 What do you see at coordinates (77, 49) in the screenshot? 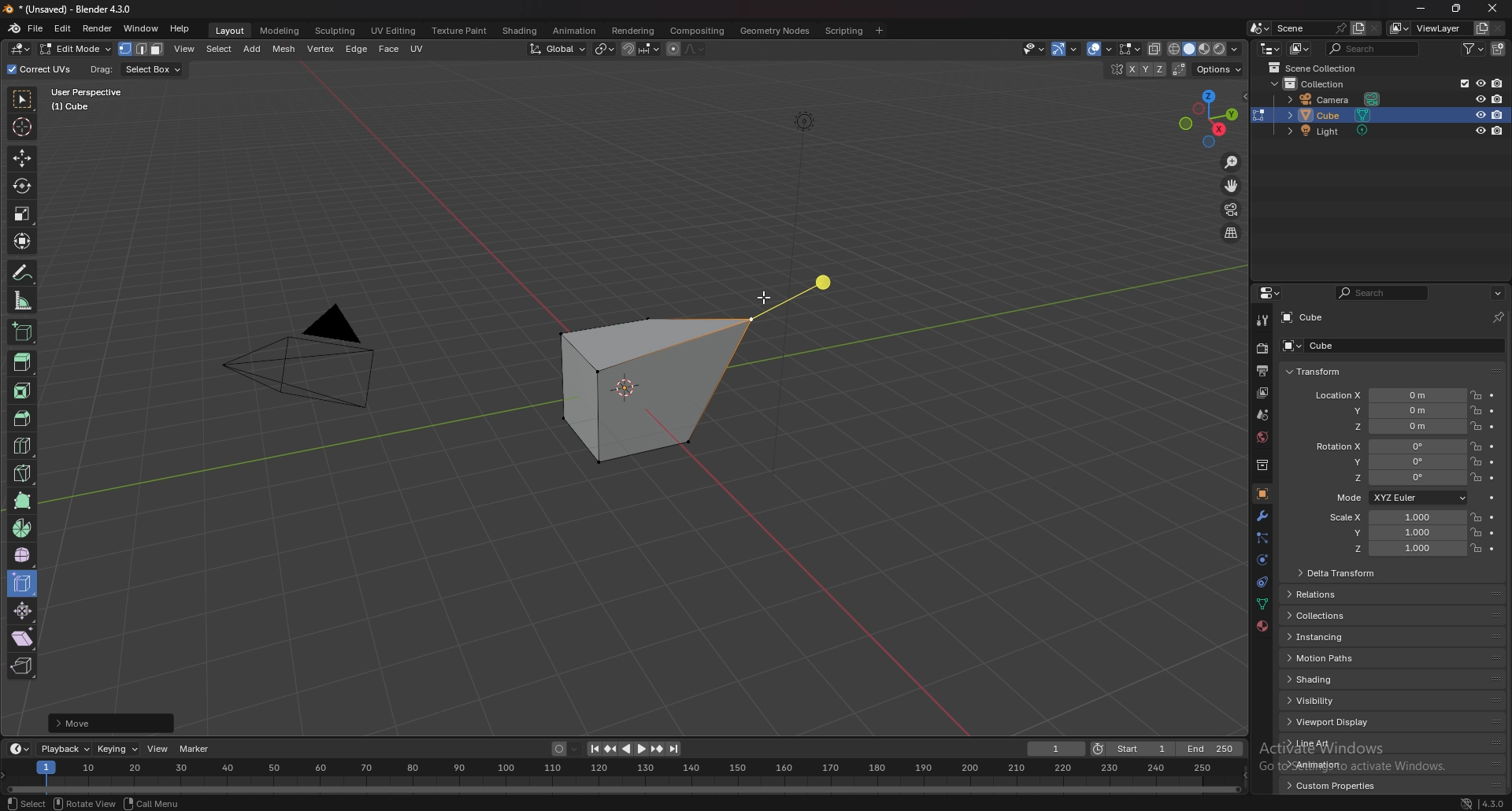
I see `object mode` at bounding box center [77, 49].